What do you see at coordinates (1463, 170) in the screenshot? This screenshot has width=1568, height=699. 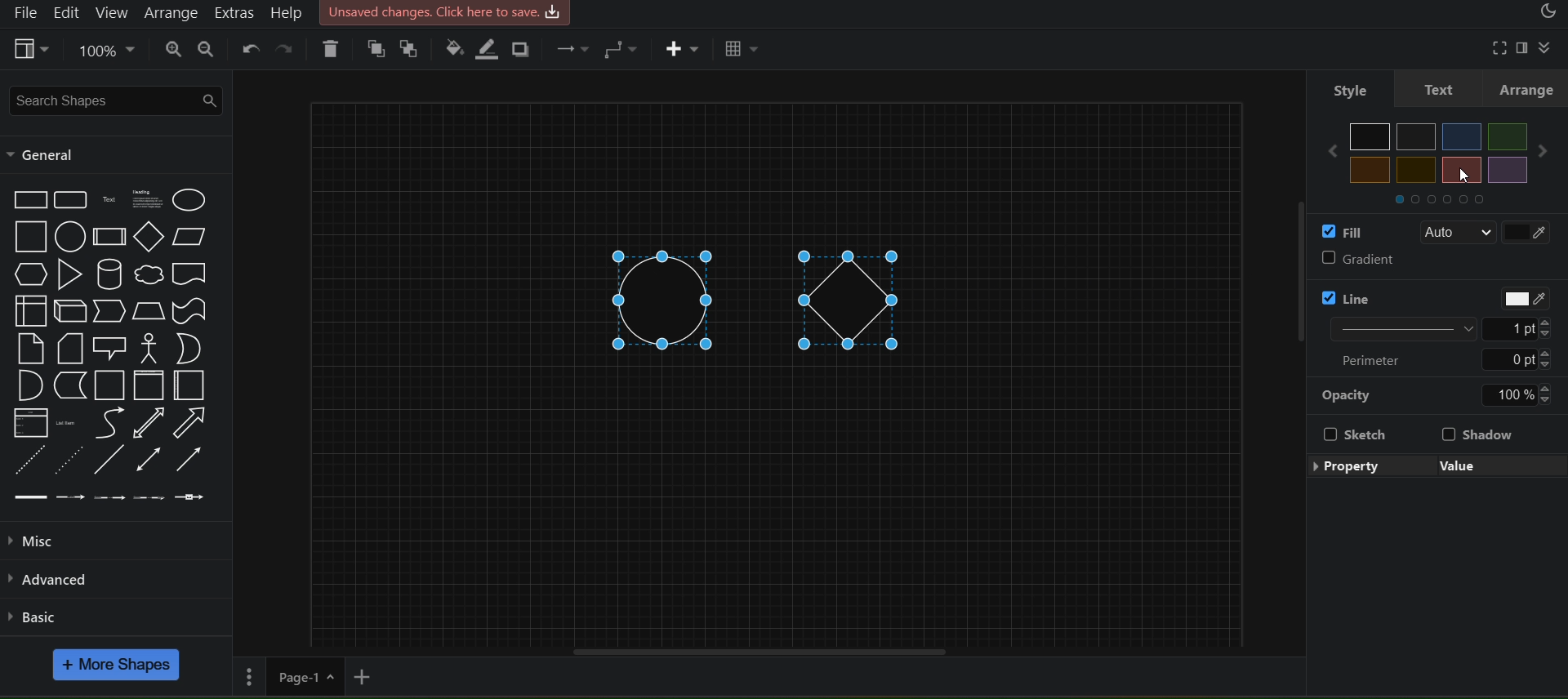 I see `` at bounding box center [1463, 170].